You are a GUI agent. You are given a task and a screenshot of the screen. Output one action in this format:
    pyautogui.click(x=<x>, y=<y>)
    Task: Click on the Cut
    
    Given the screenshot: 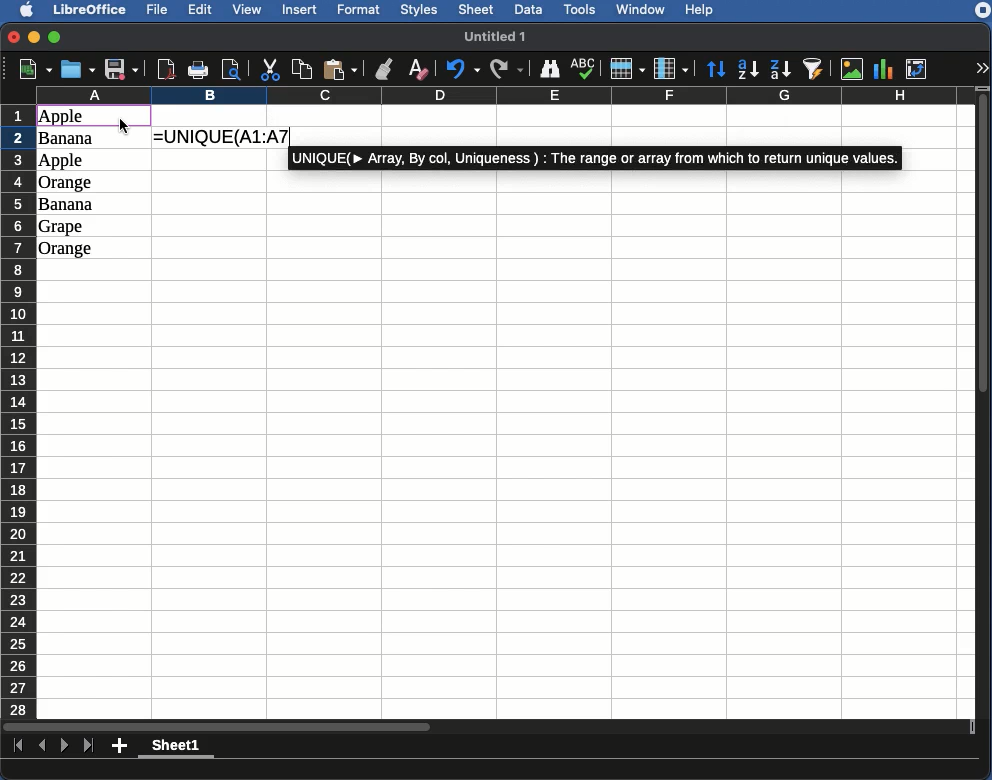 What is the action you would take?
    pyautogui.click(x=270, y=69)
    